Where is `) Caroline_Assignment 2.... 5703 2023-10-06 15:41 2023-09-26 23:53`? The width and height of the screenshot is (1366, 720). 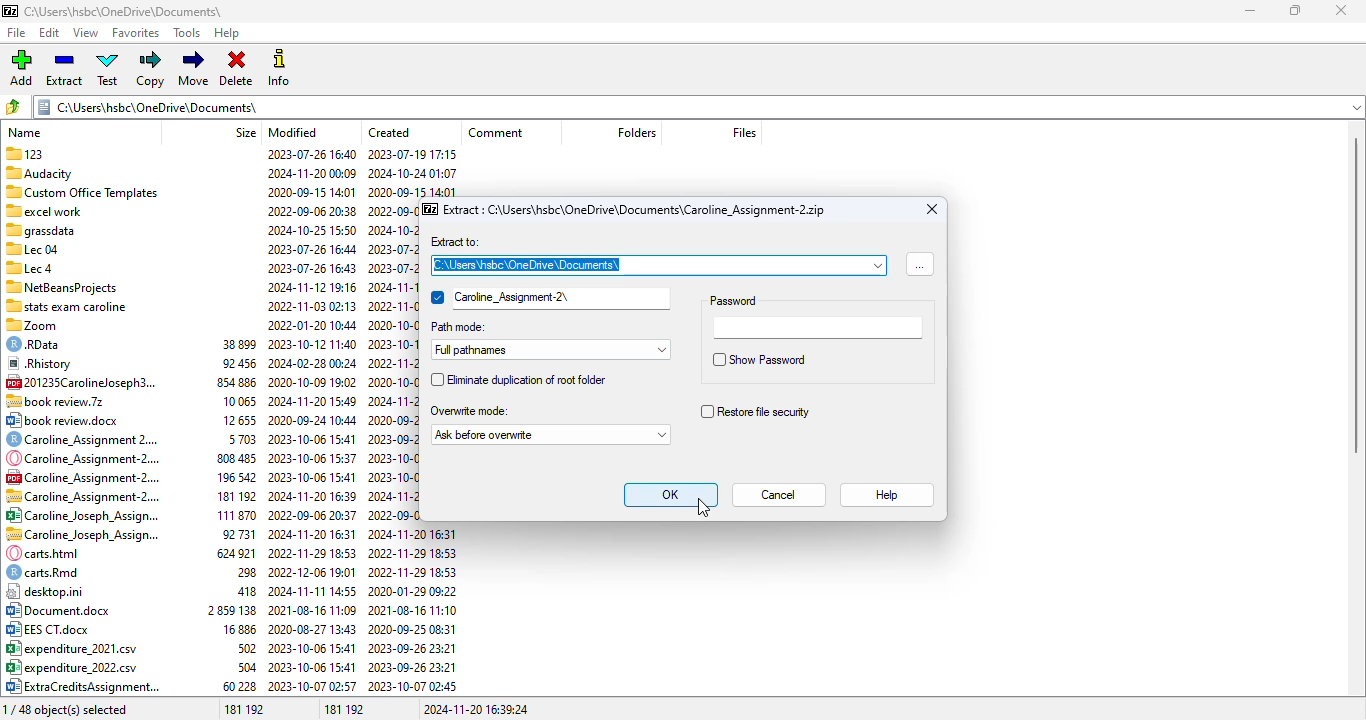
) Caroline_Assignment 2.... 5703 2023-10-06 15:41 2023-09-26 23:53 is located at coordinates (208, 439).